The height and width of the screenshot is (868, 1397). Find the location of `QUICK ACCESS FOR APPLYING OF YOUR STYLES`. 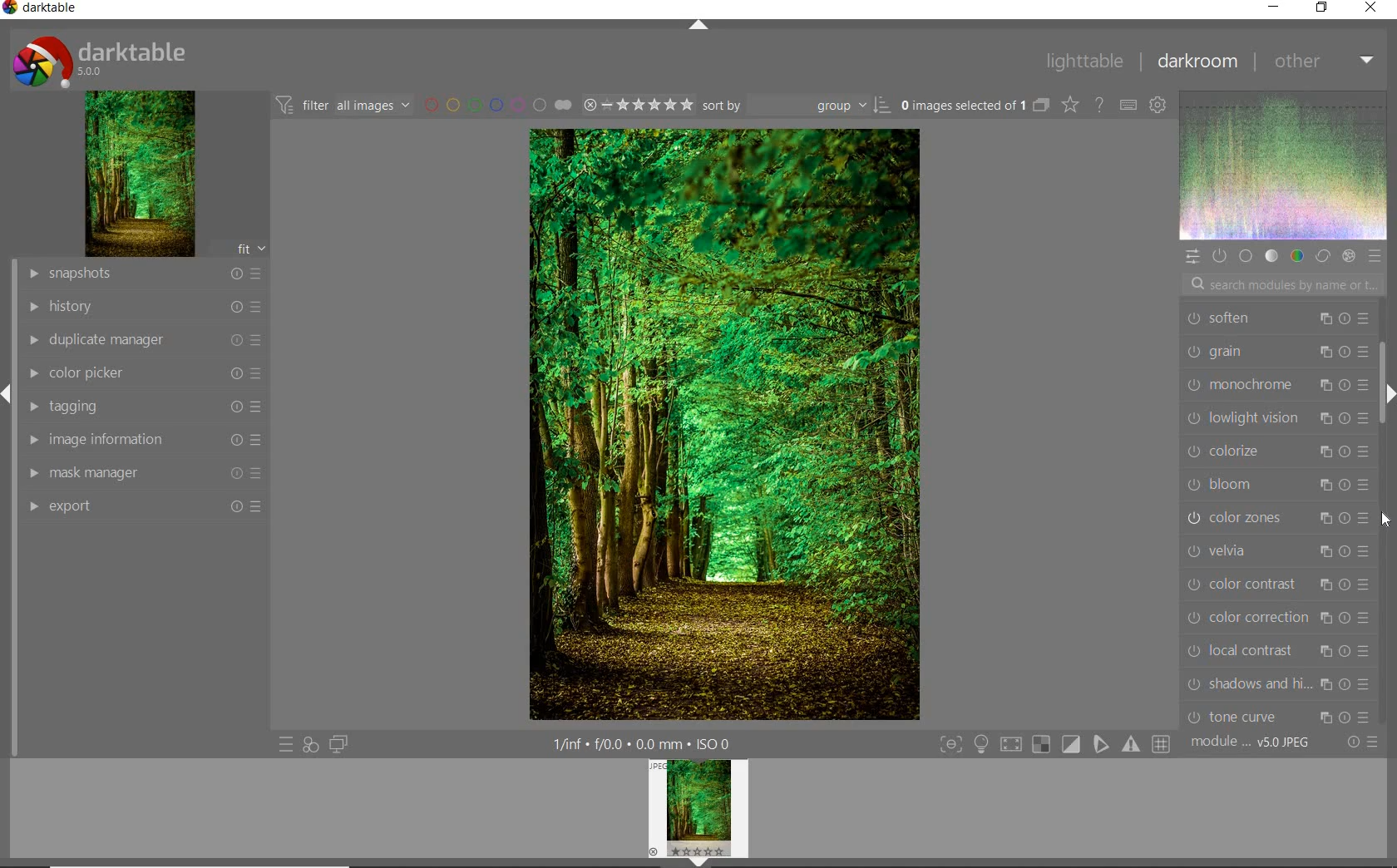

QUICK ACCESS FOR APPLYING OF YOUR STYLES is located at coordinates (309, 745).